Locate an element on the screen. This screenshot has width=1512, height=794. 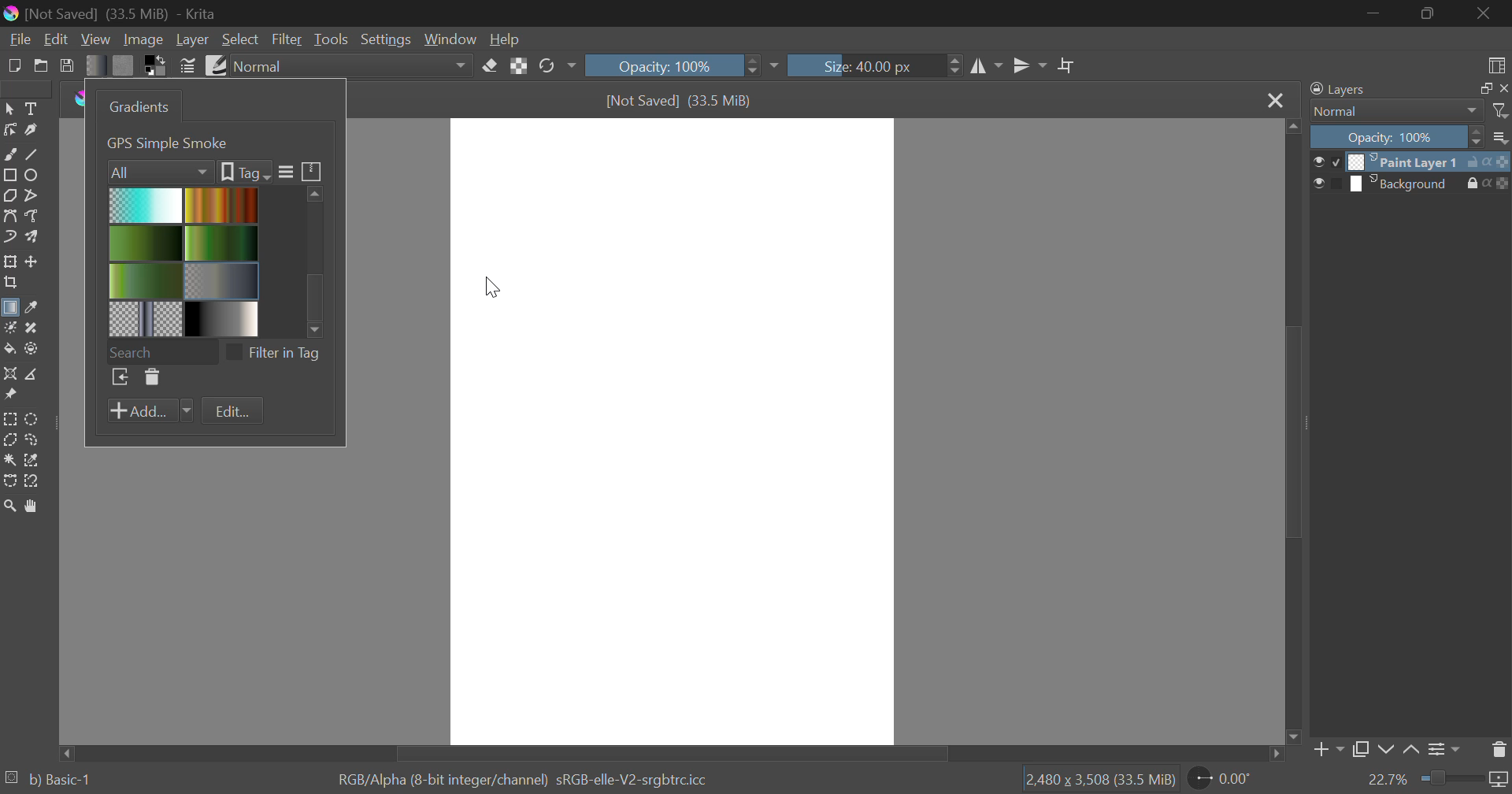
Vertical Mirror Flip is located at coordinates (987, 68).